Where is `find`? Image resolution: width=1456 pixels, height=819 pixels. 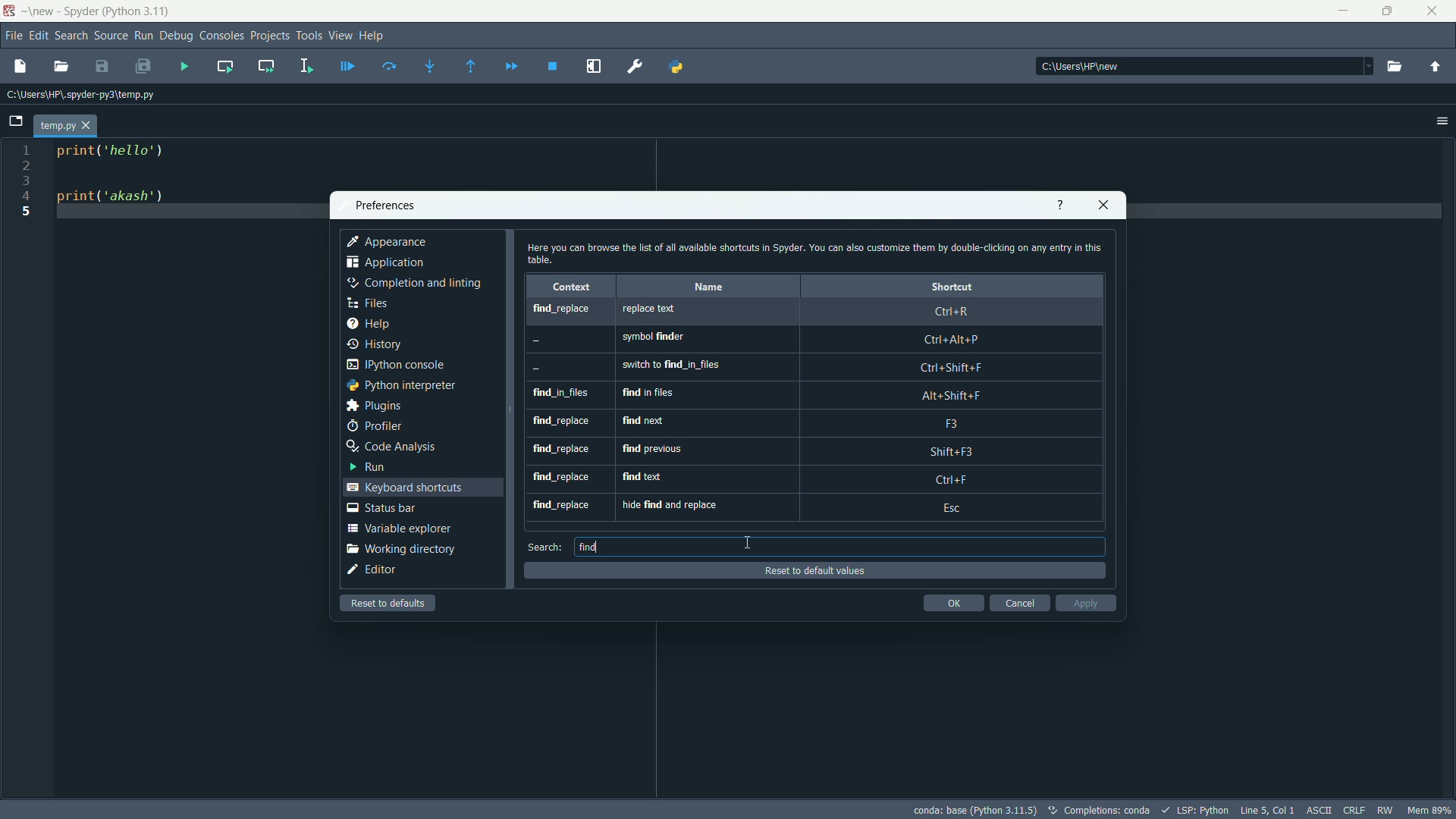
find is located at coordinates (588, 547).